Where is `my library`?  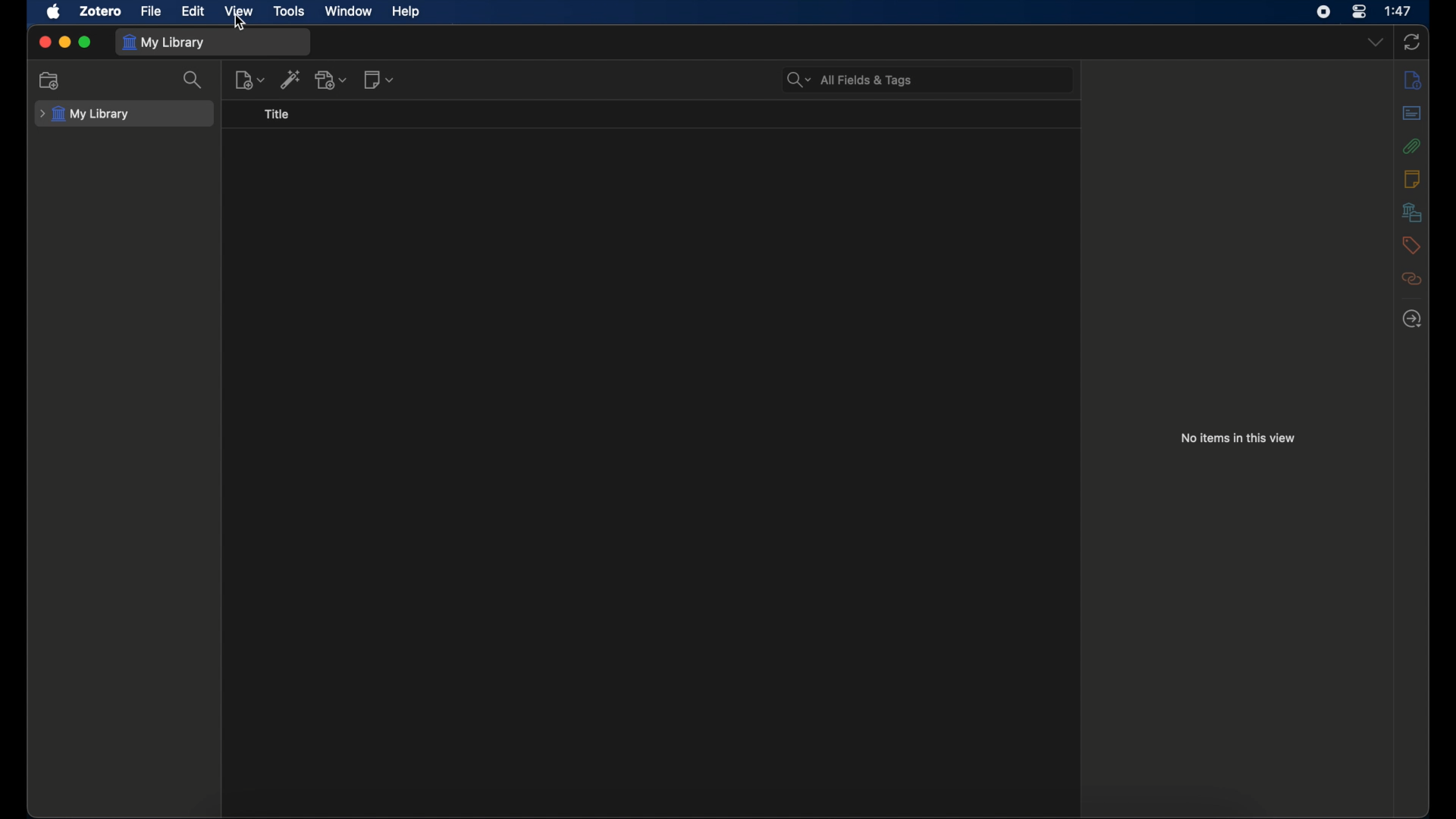
my library is located at coordinates (88, 115).